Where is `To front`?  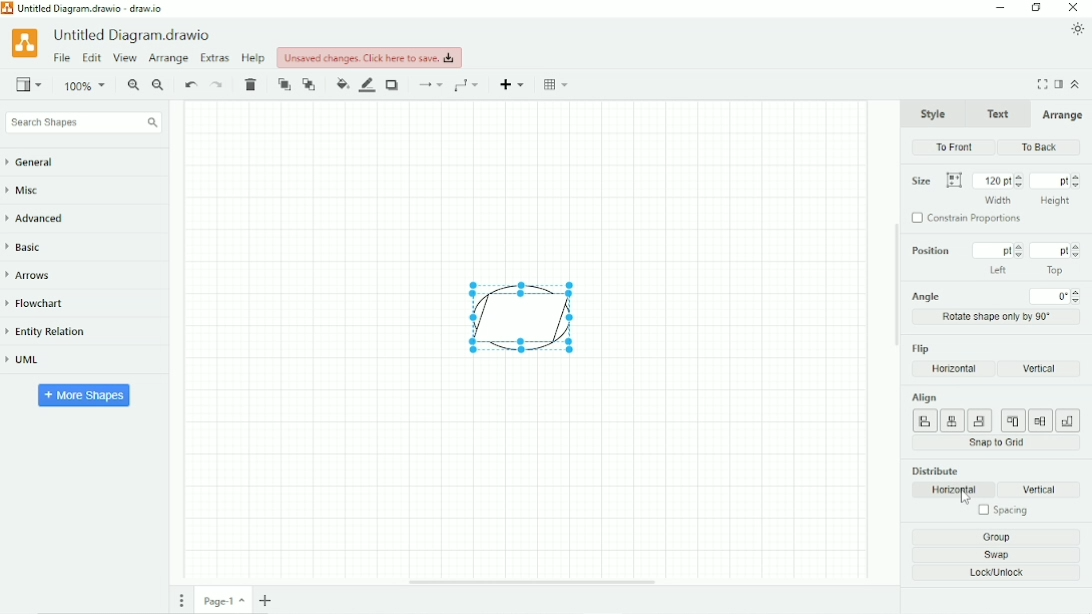 To front is located at coordinates (955, 147).